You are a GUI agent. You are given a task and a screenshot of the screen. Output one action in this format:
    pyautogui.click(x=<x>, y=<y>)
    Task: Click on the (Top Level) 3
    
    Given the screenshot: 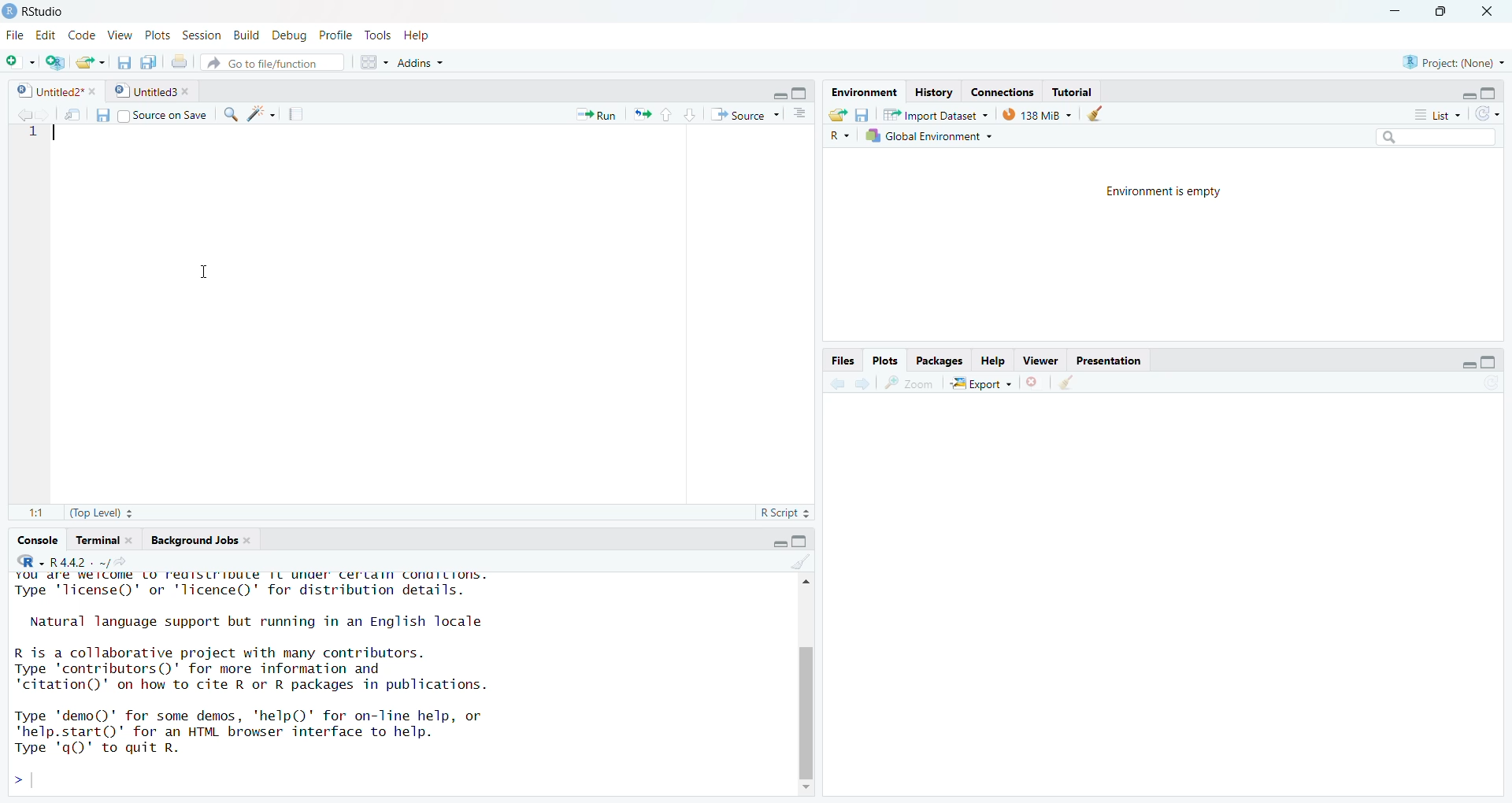 What is the action you would take?
    pyautogui.click(x=92, y=515)
    